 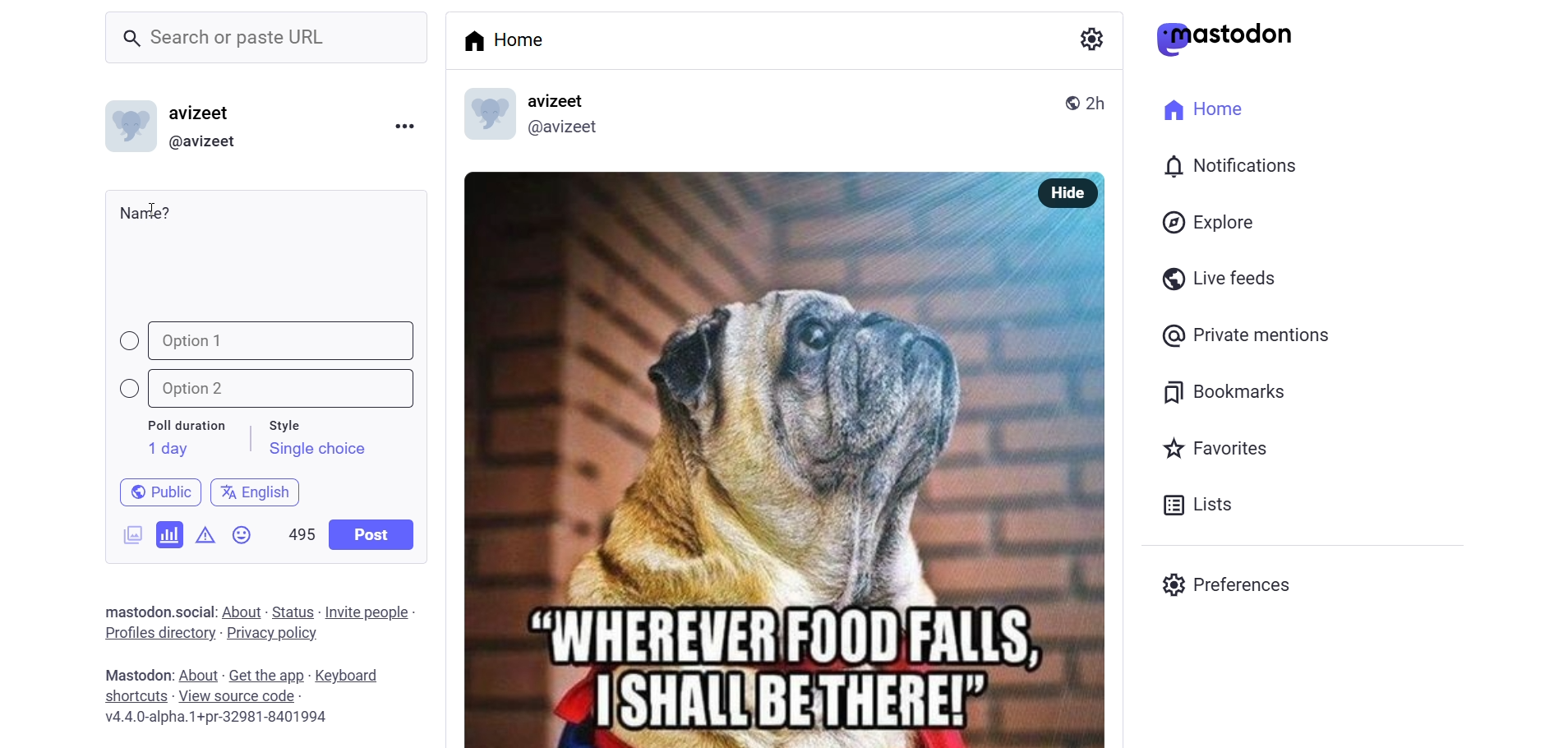 What do you see at coordinates (239, 696) in the screenshot?
I see `source code` at bounding box center [239, 696].